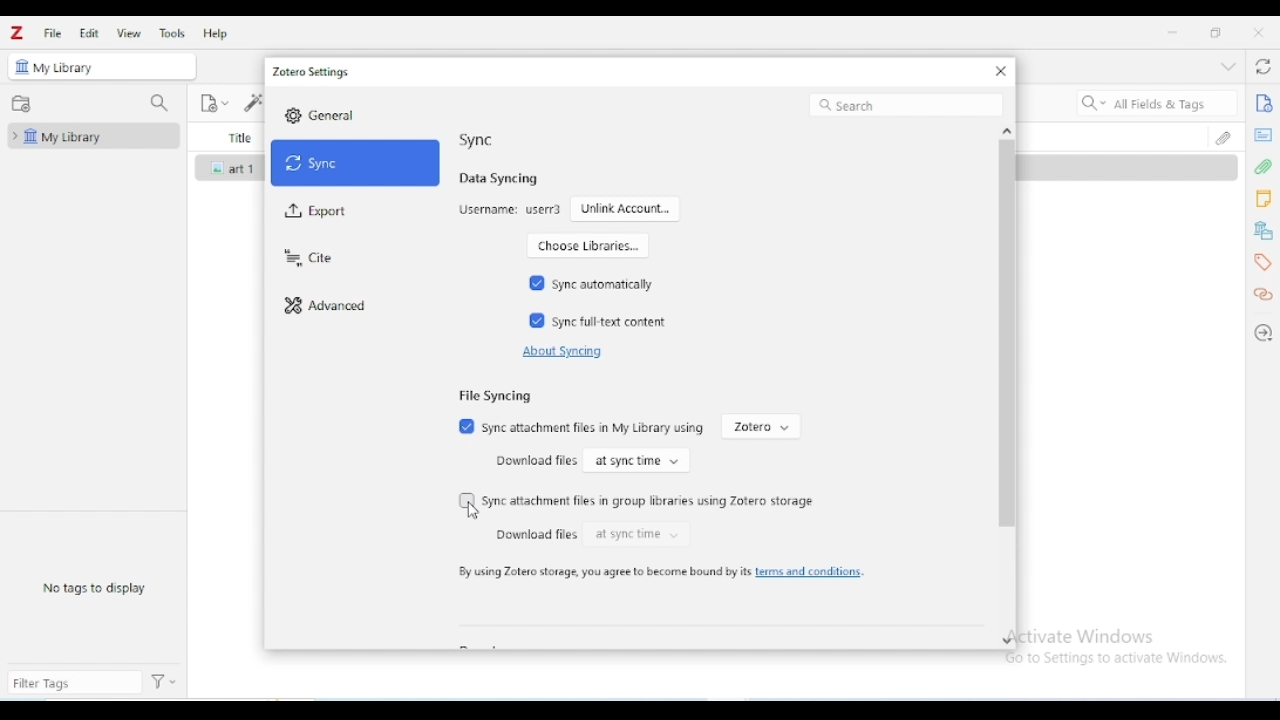 This screenshot has height=720, width=1280. What do you see at coordinates (1085, 635) in the screenshot?
I see `Activate Windows` at bounding box center [1085, 635].